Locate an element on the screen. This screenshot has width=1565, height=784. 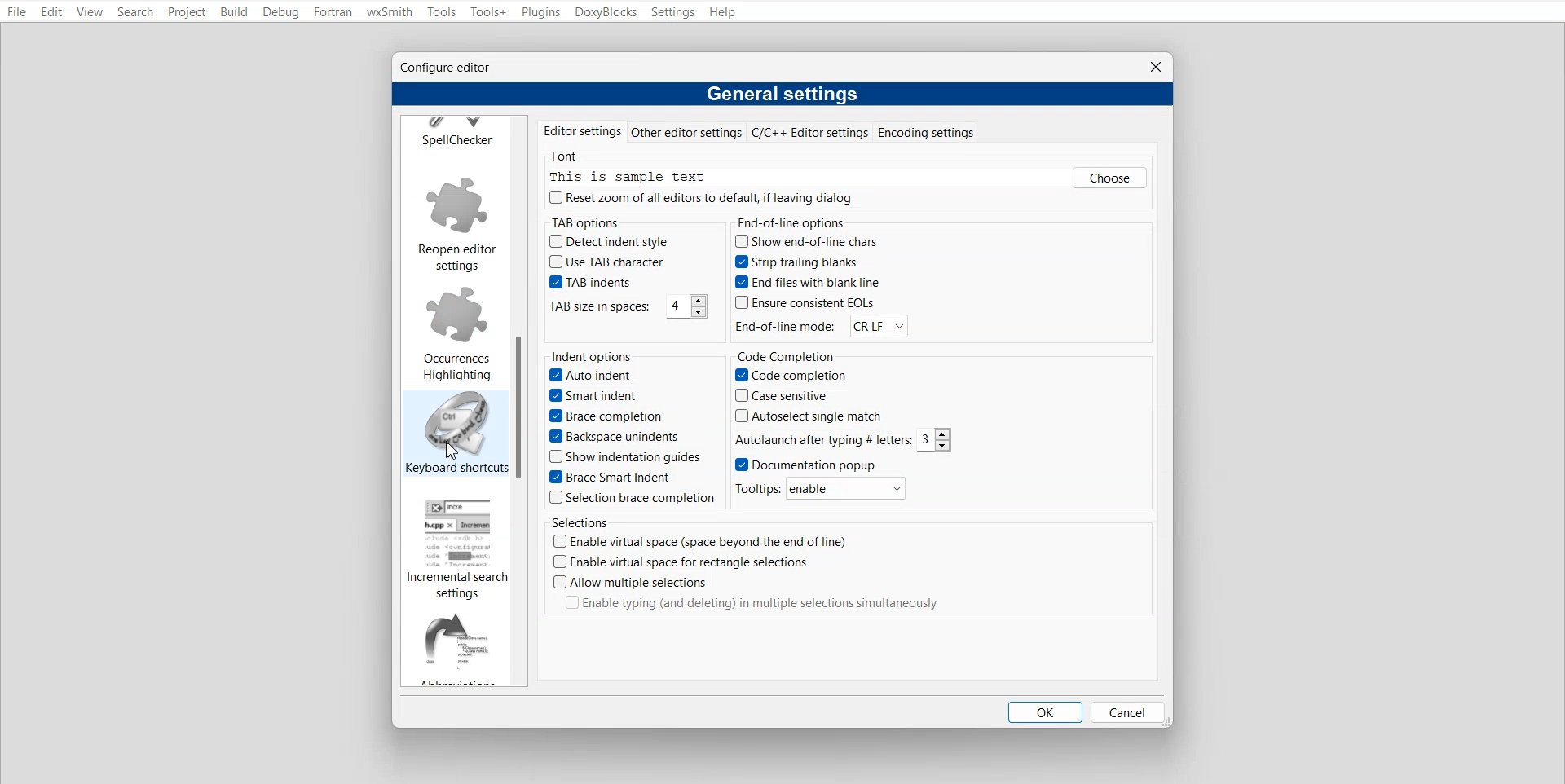
Debug is located at coordinates (280, 12).